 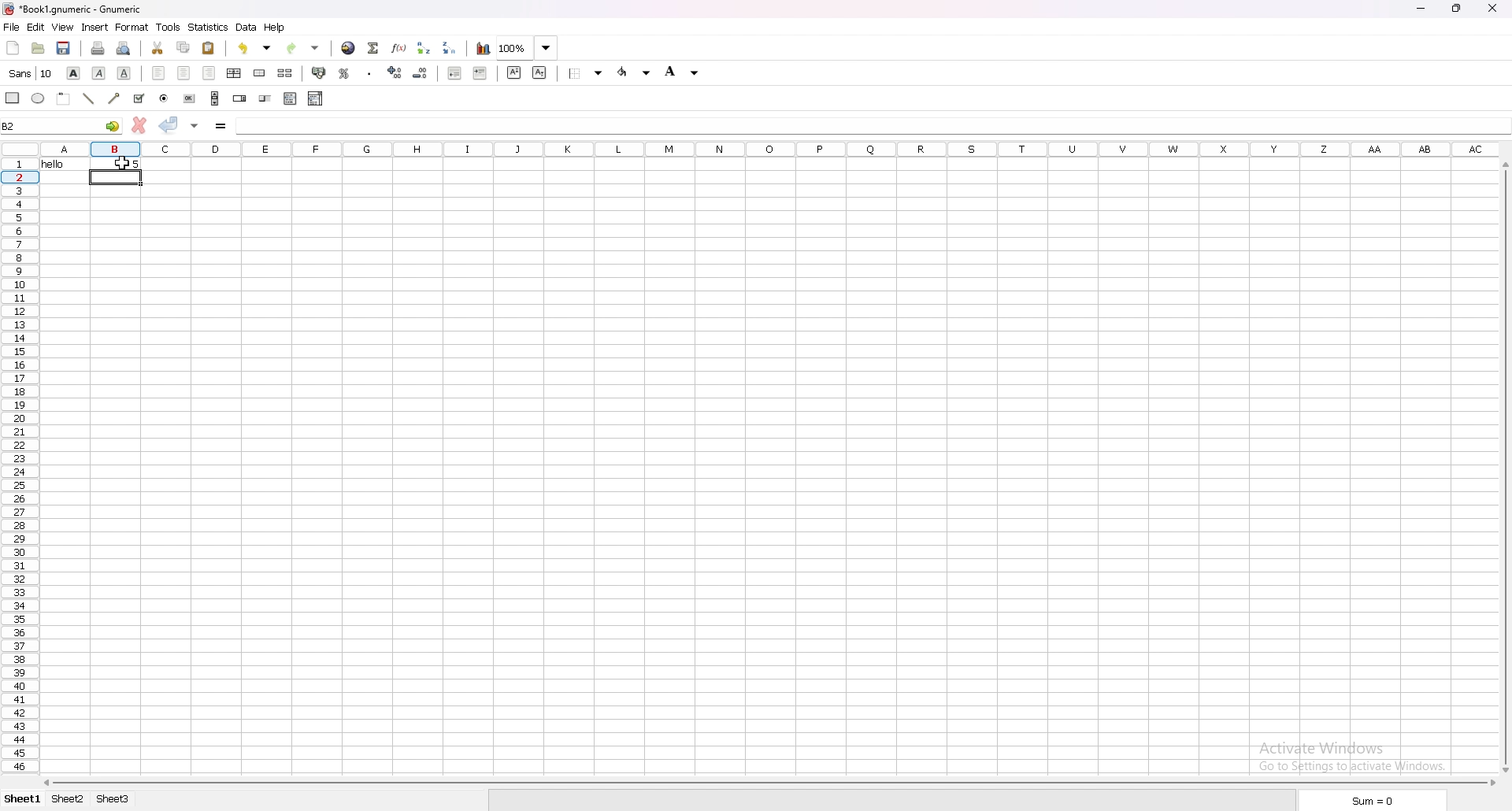 What do you see at coordinates (424, 47) in the screenshot?
I see `sort ascending` at bounding box center [424, 47].